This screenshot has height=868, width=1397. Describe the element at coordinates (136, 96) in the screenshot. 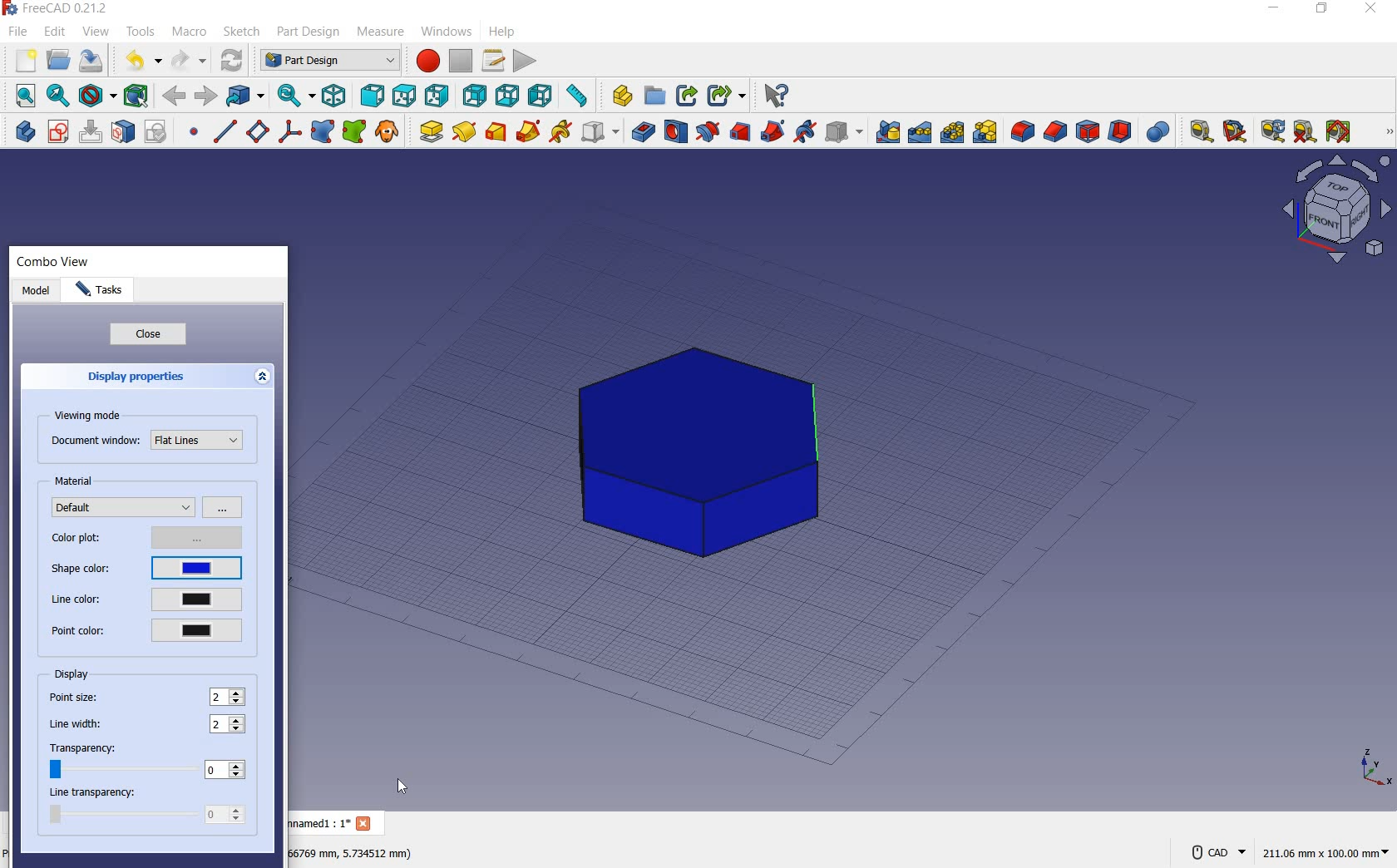

I see `bounding box` at that location.